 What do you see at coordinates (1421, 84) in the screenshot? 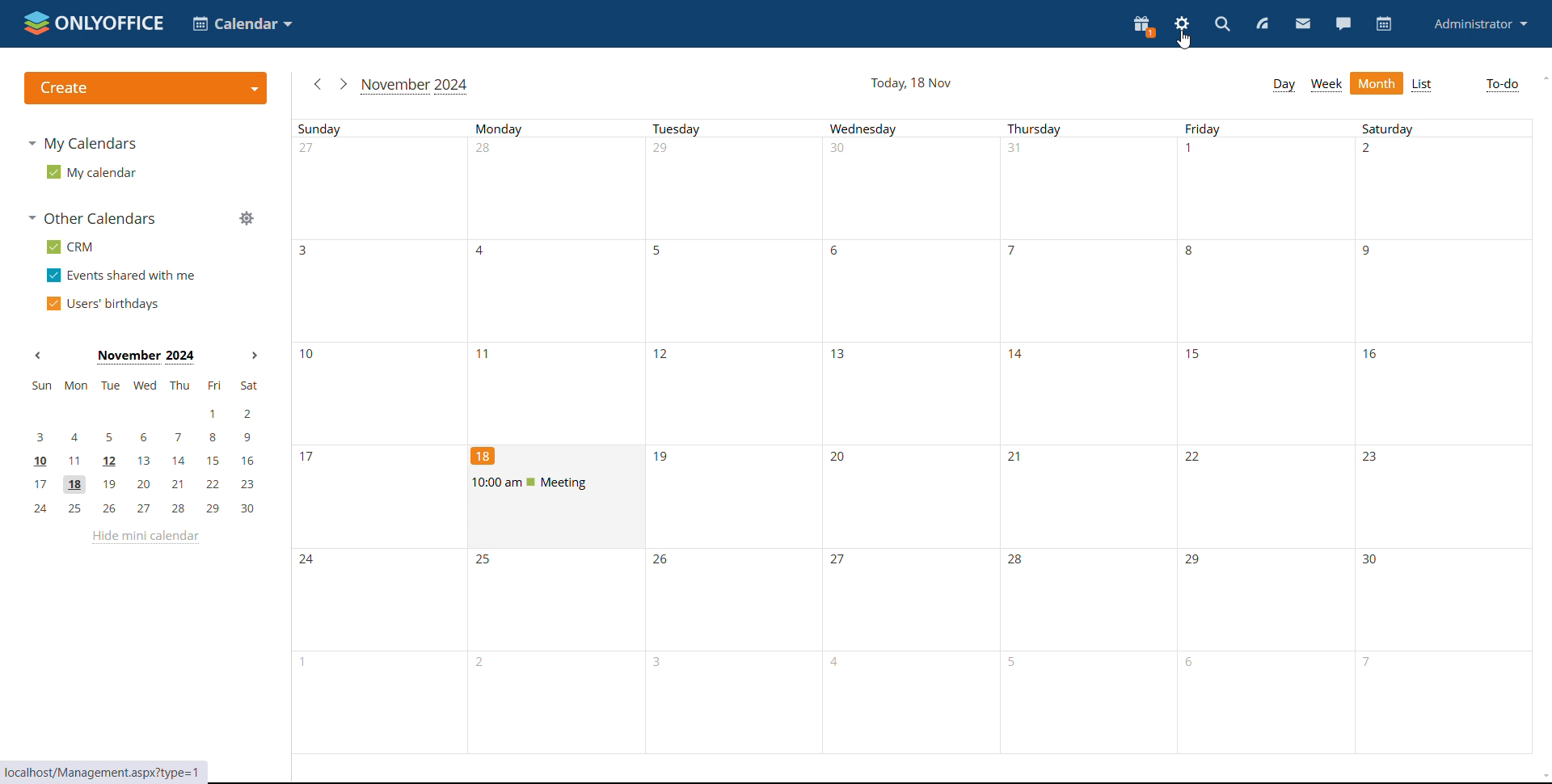
I see `list view` at bounding box center [1421, 84].